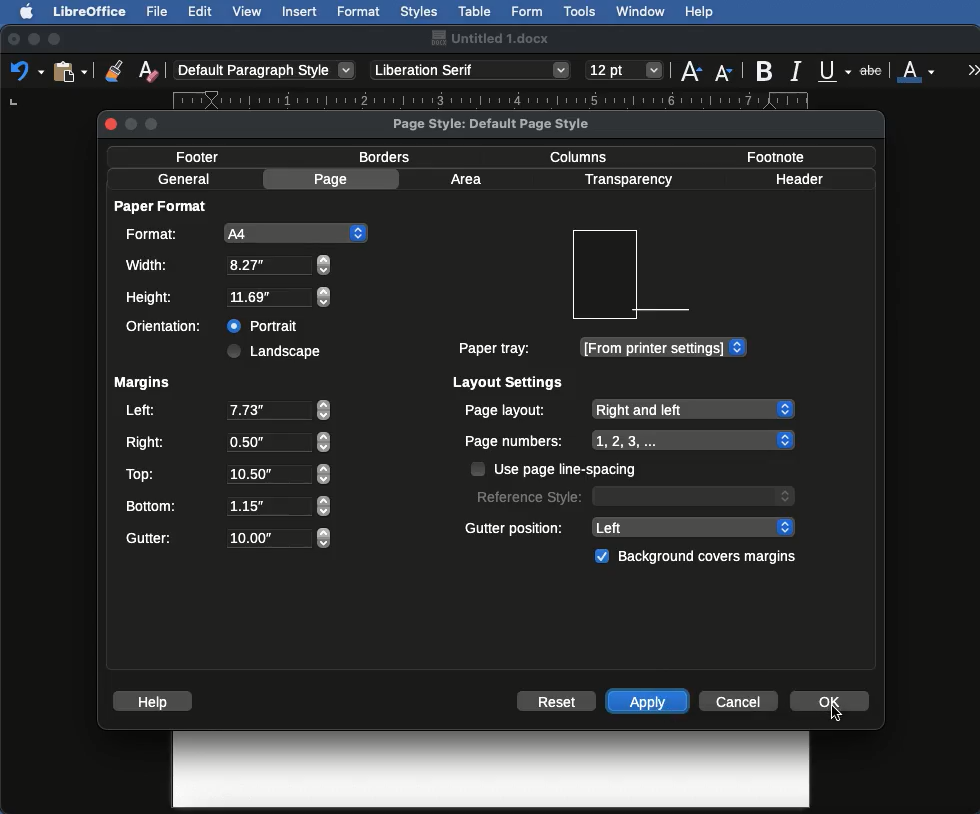 This screenshot has width=980, height=814. I want to click on Page numbers, so click(630, 441).